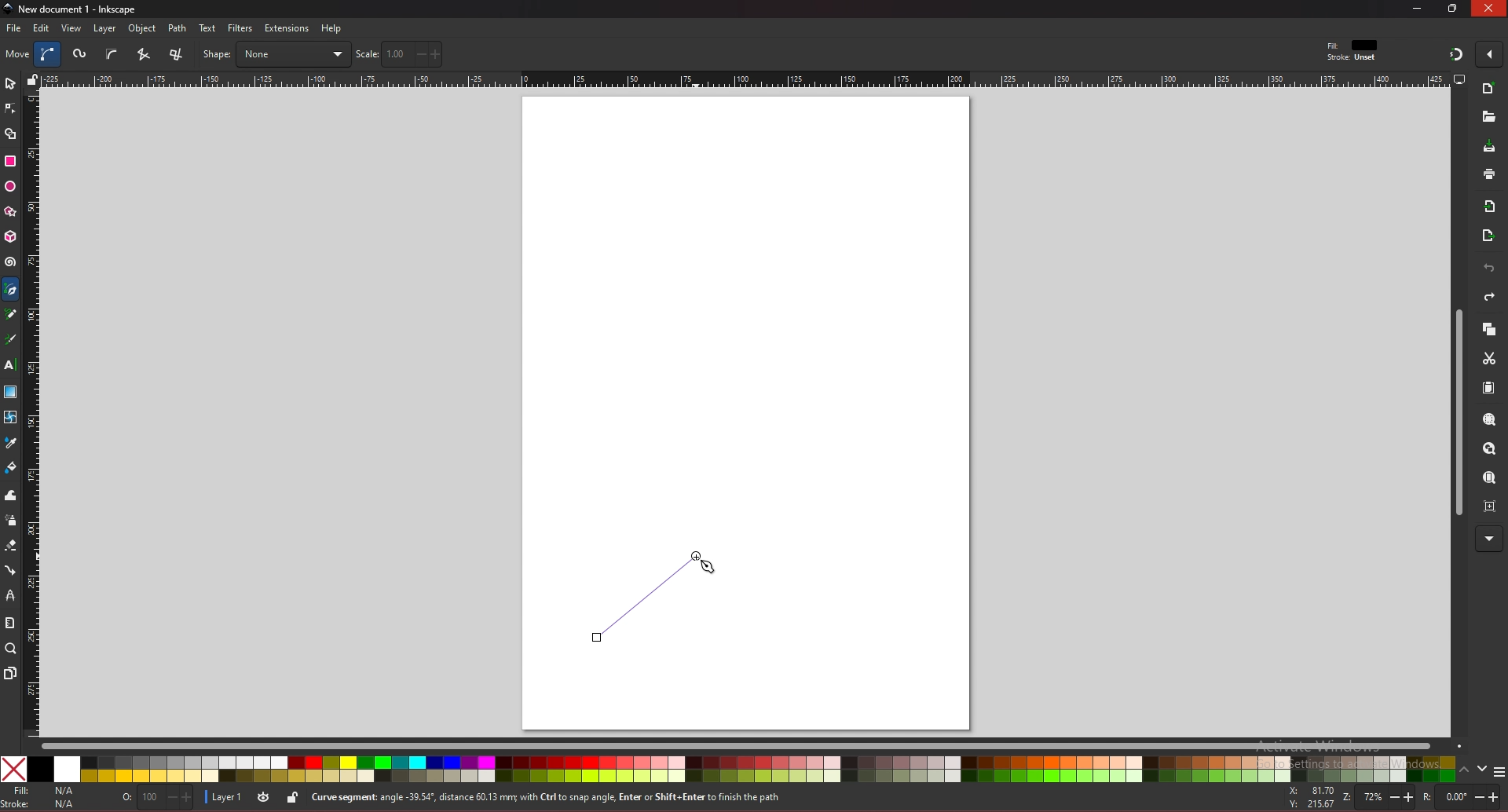 The image size is (1508, 812). What do you see at coordinates (1456, 53) in the screenshot?
I see `snapping` at bounding box center [1456, 53].